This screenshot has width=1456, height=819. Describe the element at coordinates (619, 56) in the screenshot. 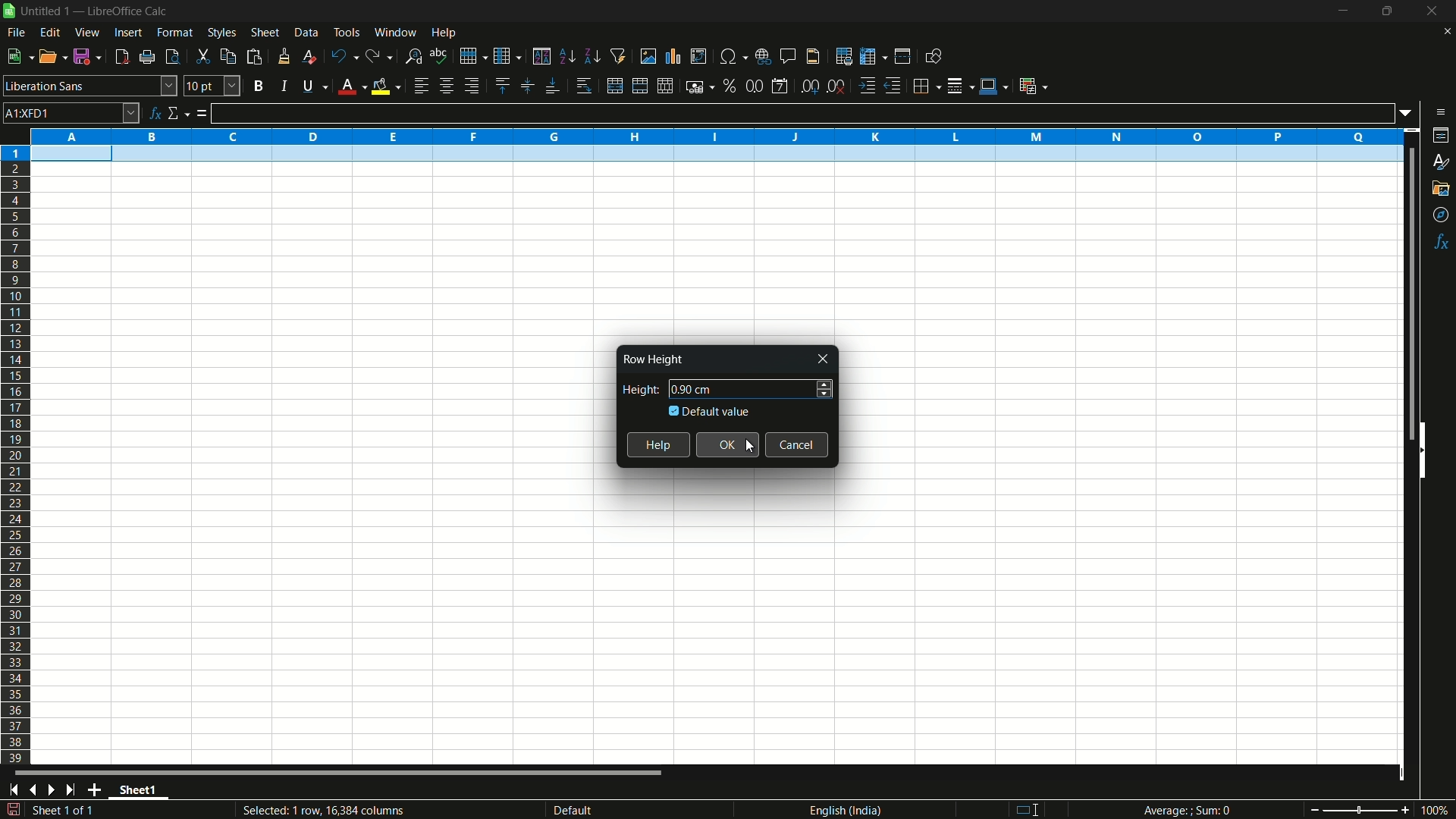

I see `auto filter` at that location.